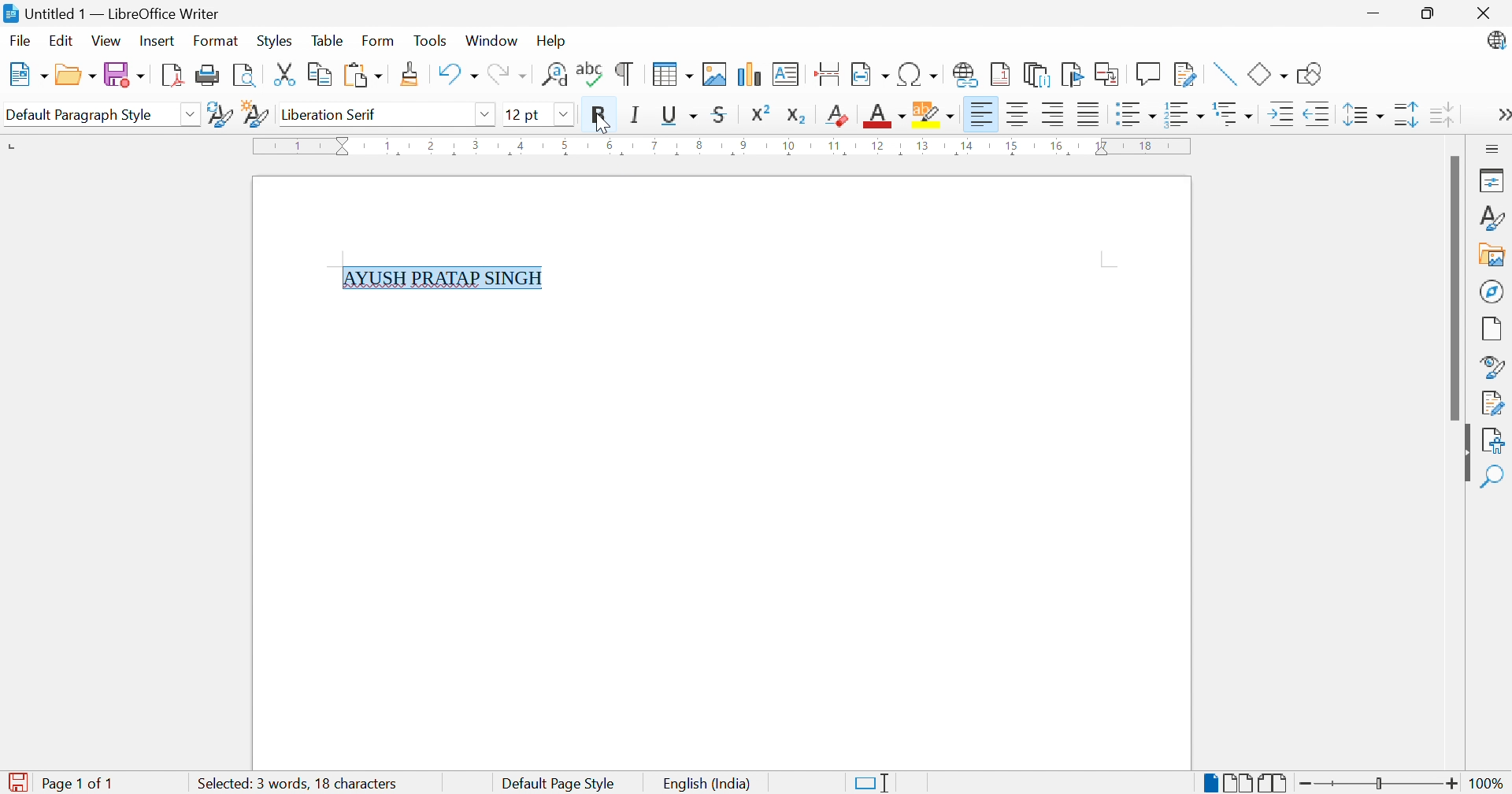 This screenshot has height=794, width=1512. What do you see at coordinates (1466, 460) in the screenshot?
I see `Hide` at bounding box center [1466, 460].